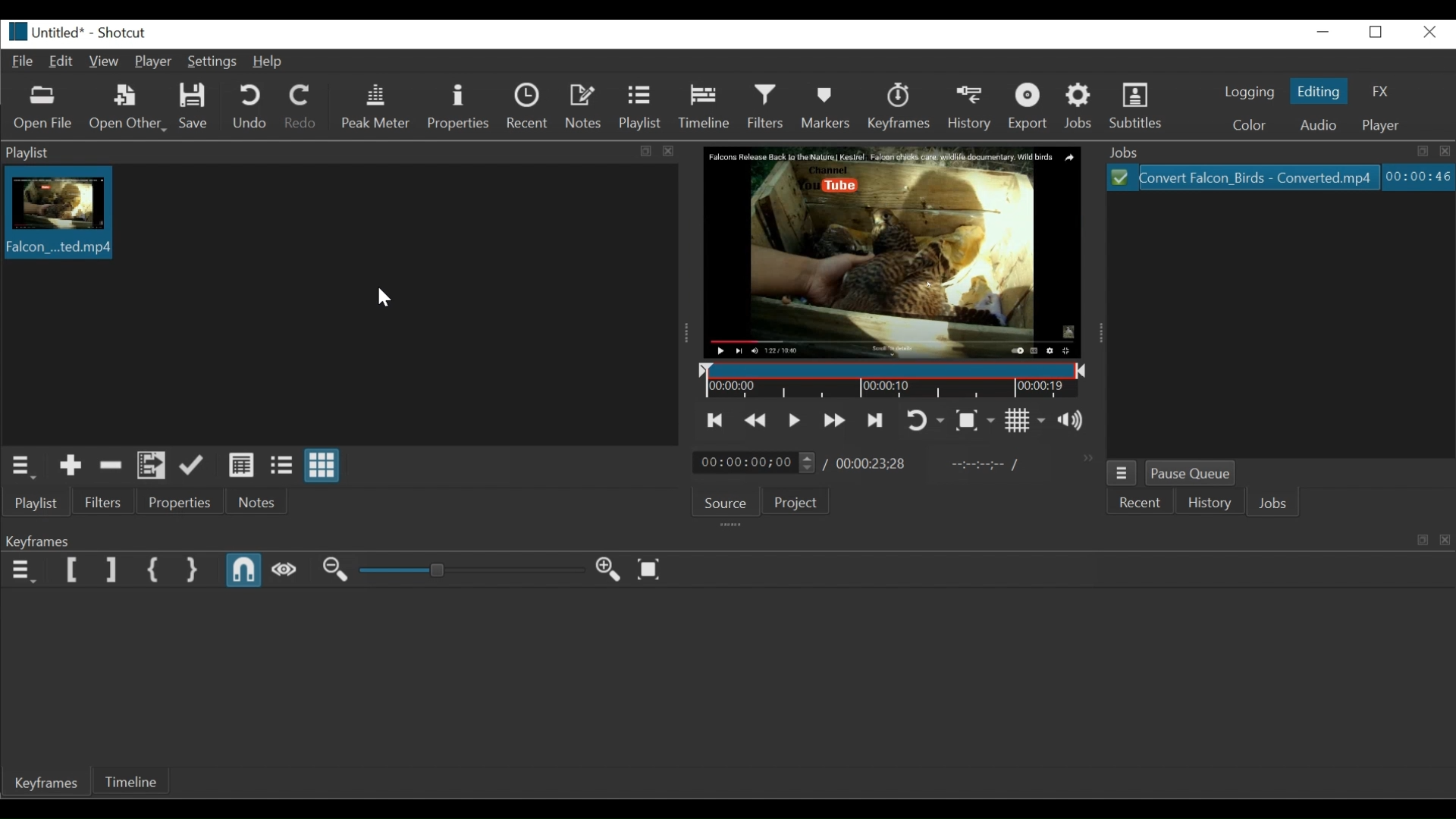 This screenshot has width=1456, height=819. I want to click on Edit, so click(61, 61).